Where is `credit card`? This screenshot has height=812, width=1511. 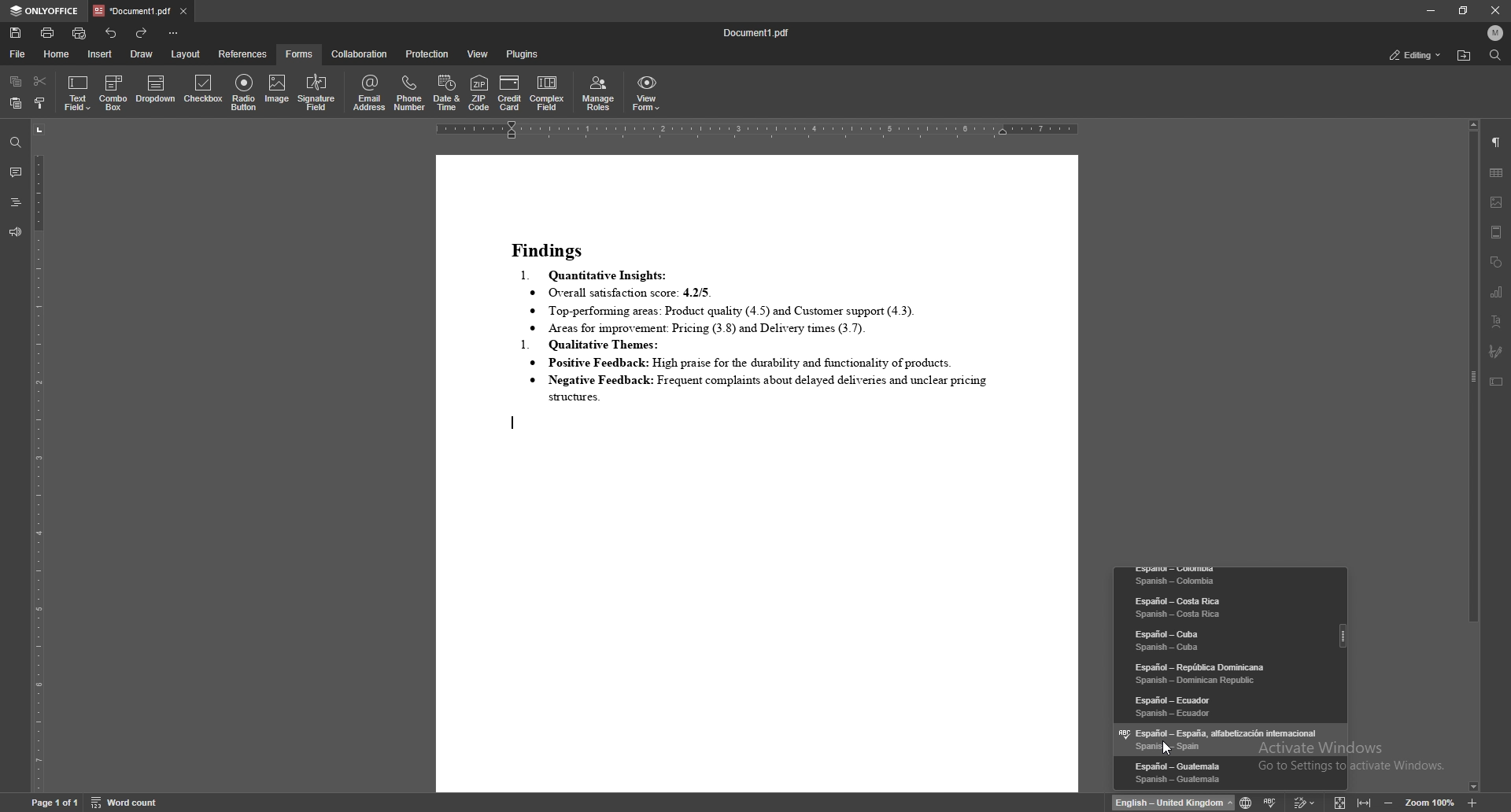 credit card is located at coordinates (511, 92).